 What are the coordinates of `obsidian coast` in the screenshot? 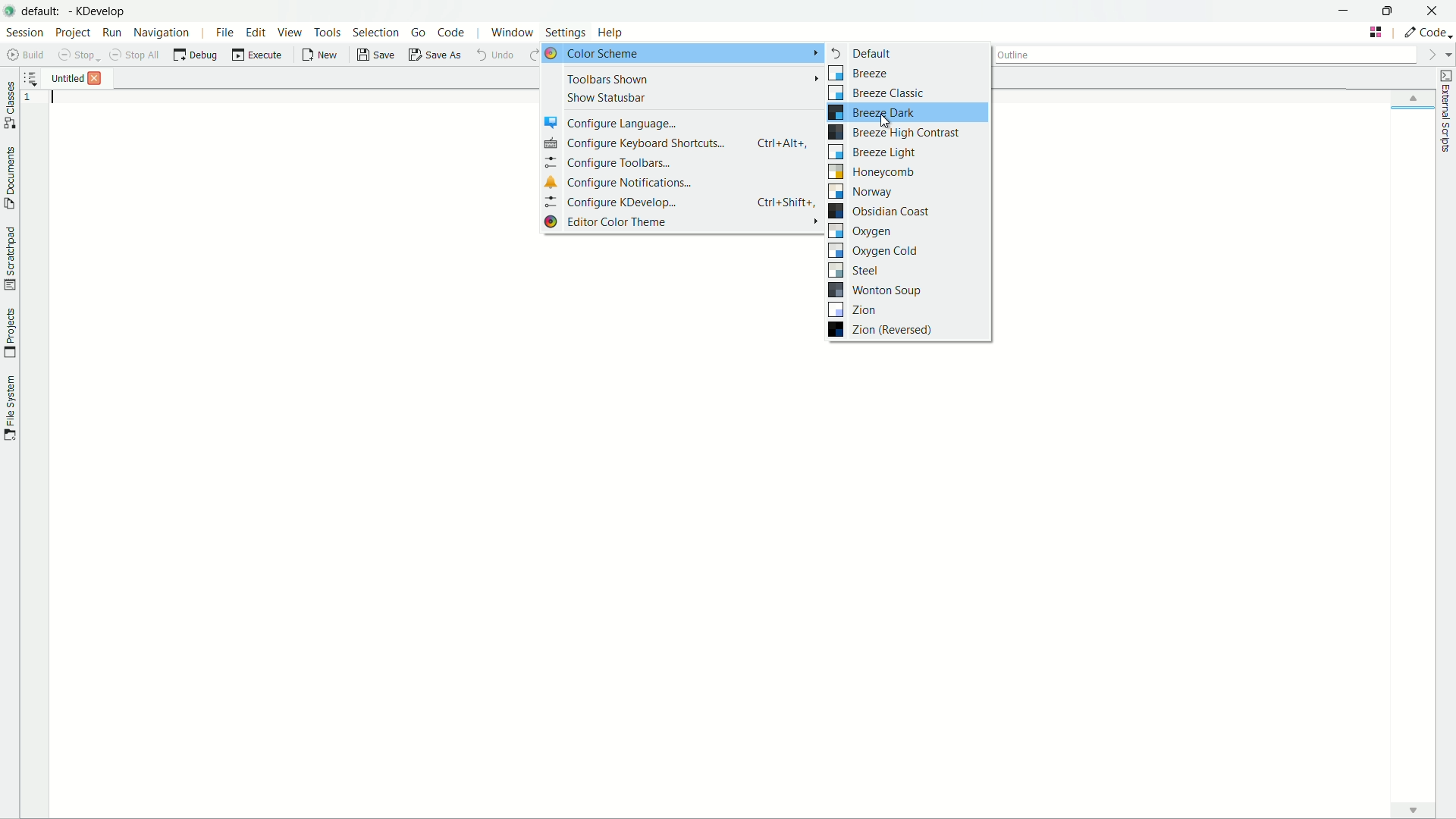 It's located at (883, 211).